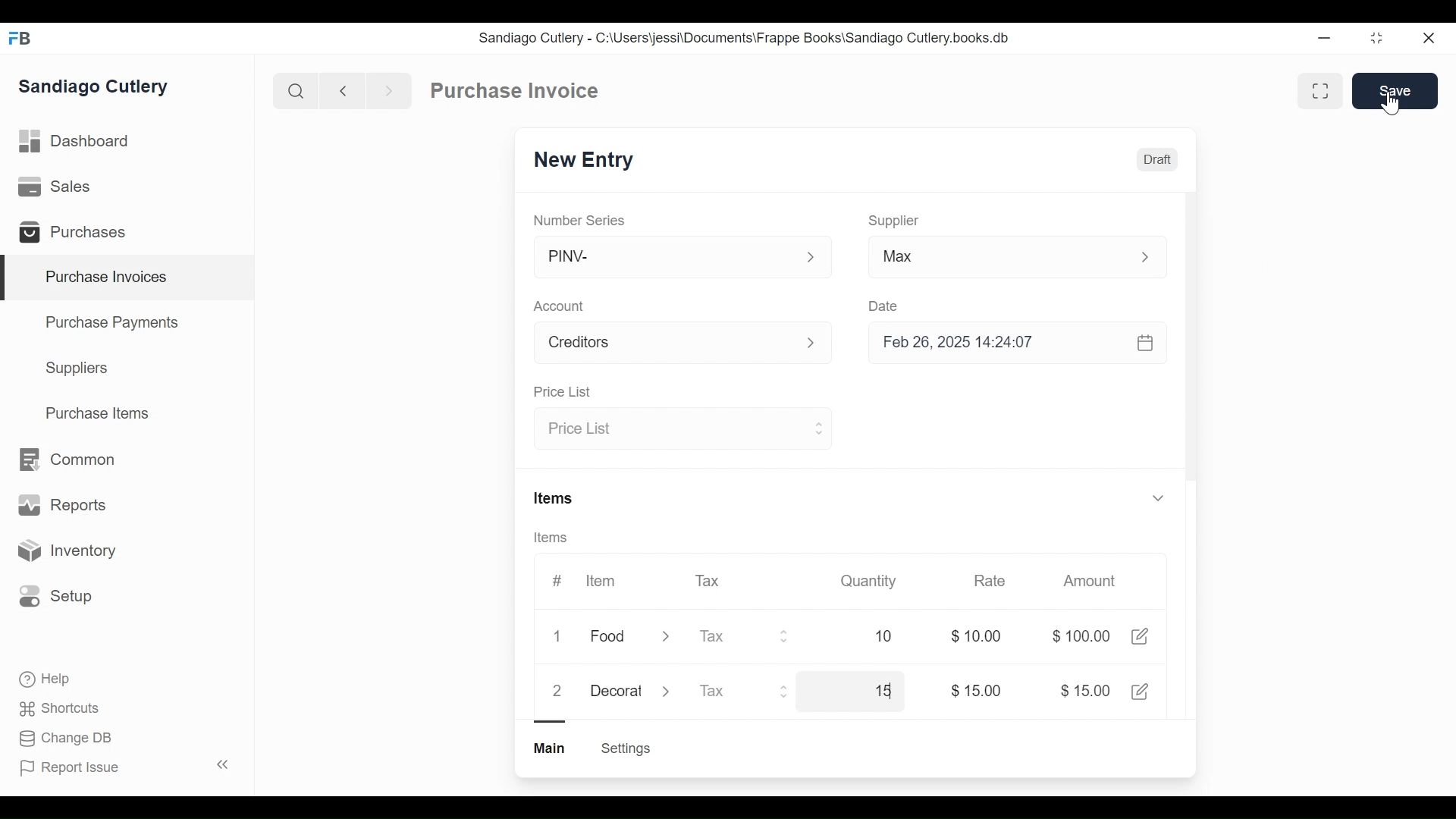 The image size is (1456, 819). I want to click on Vertical Scroll bar, so click(1191, 358).